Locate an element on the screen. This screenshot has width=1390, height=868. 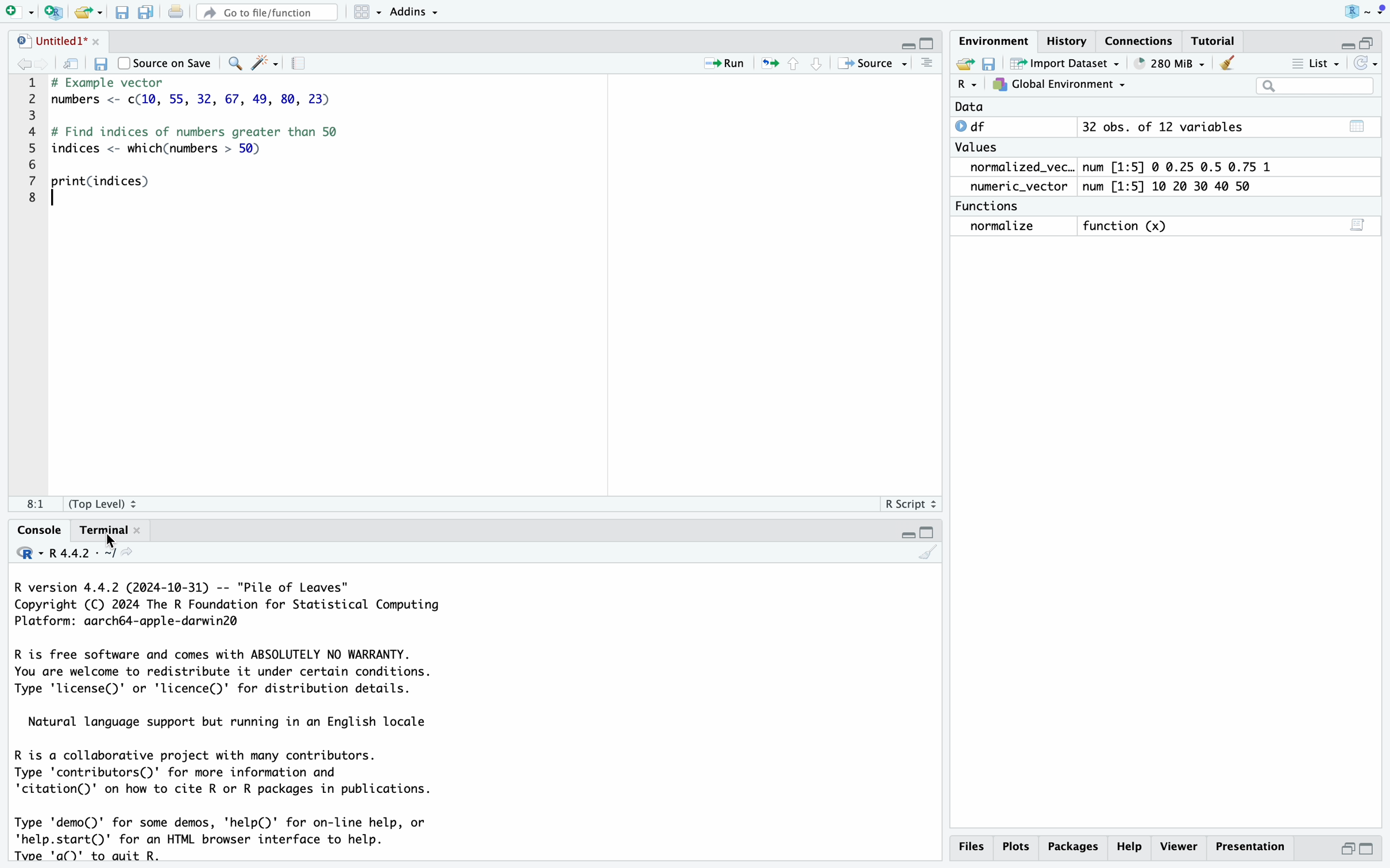
CURSOR is located at coordinates (117, 542).